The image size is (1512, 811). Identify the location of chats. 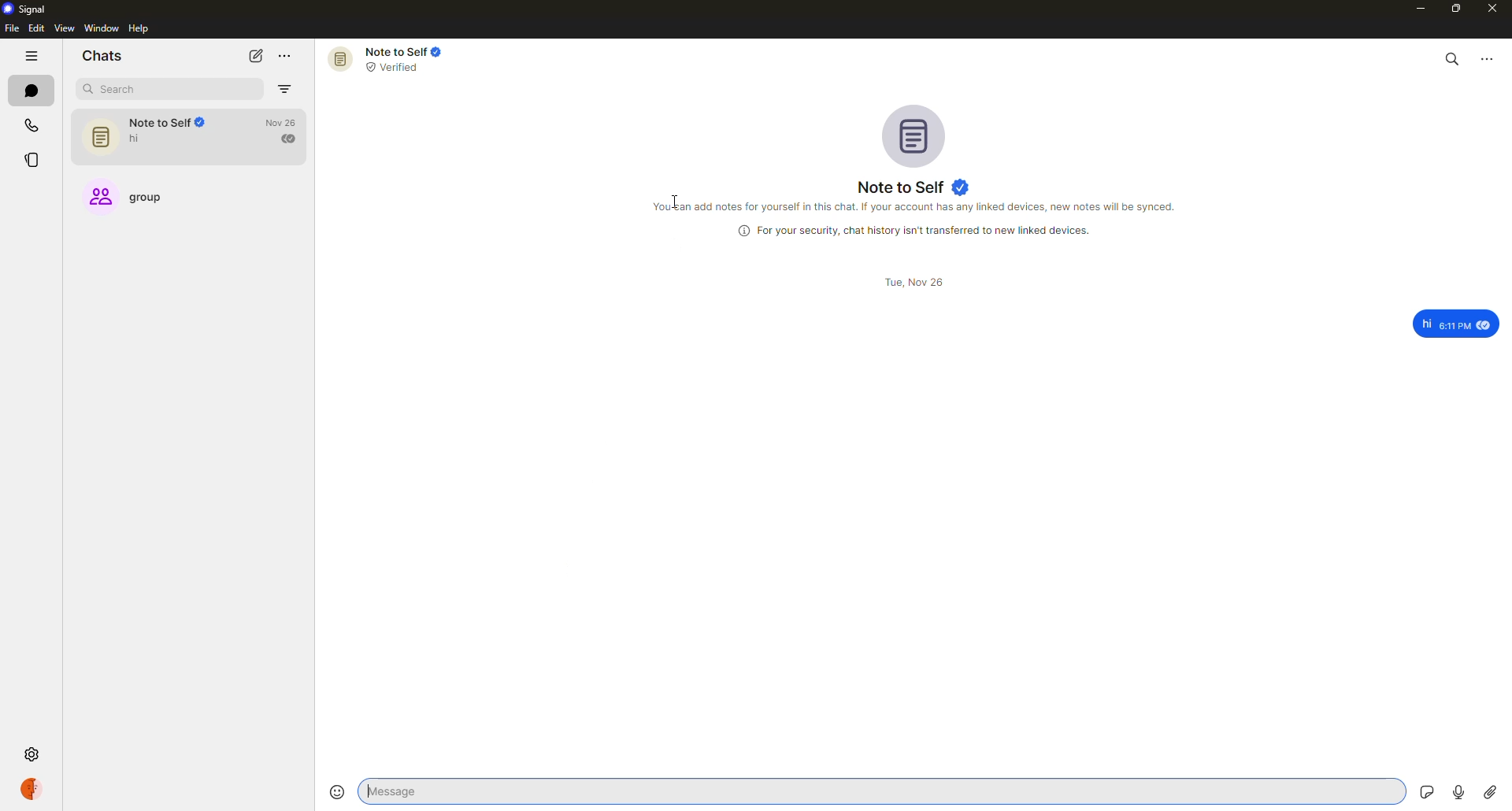
(29, 91).